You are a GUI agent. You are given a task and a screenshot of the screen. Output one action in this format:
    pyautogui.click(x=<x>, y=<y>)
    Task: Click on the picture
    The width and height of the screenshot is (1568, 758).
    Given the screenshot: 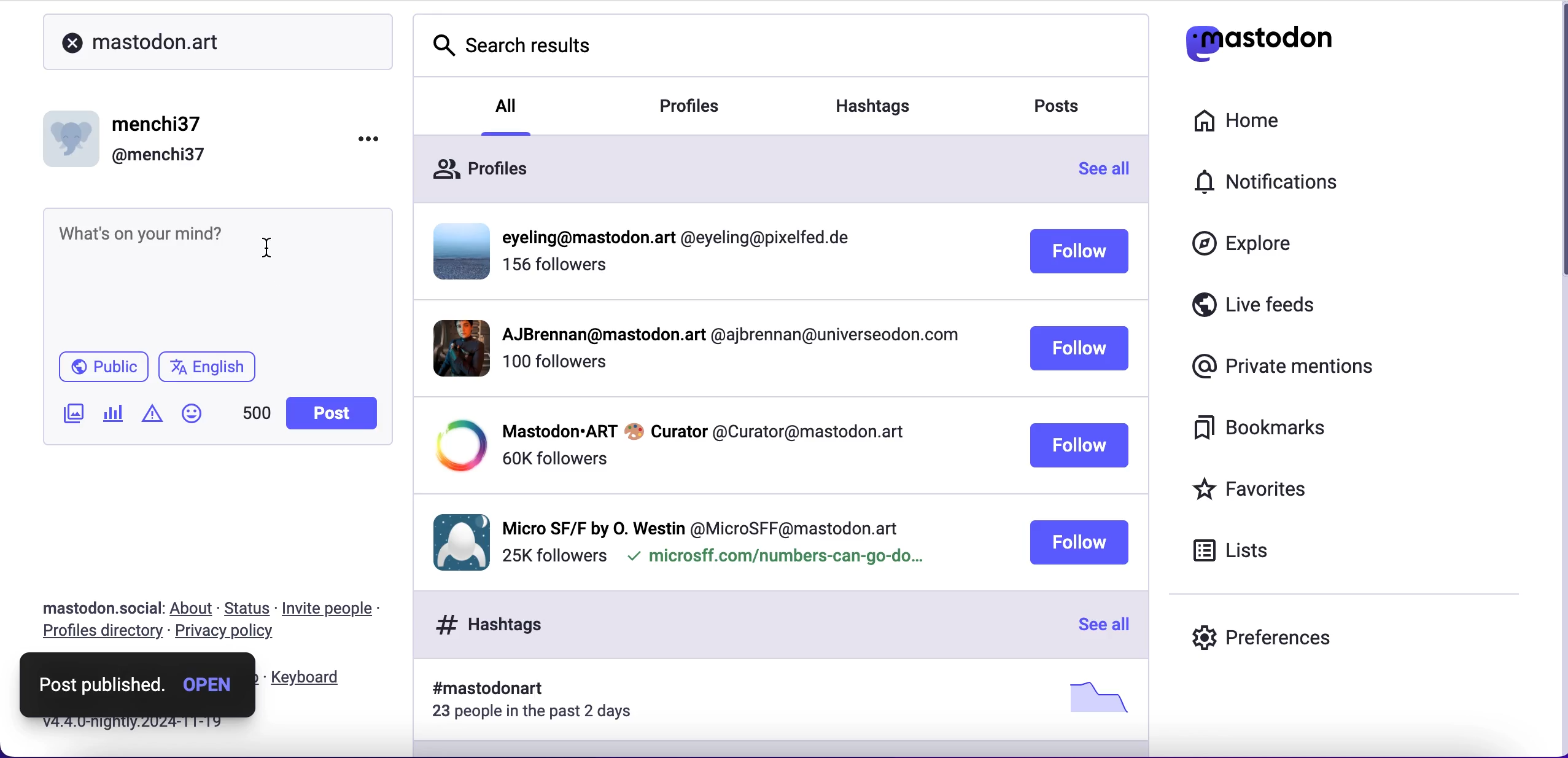 What is the action you would take?
    pyautogui.click(x=1093, y=697)
    